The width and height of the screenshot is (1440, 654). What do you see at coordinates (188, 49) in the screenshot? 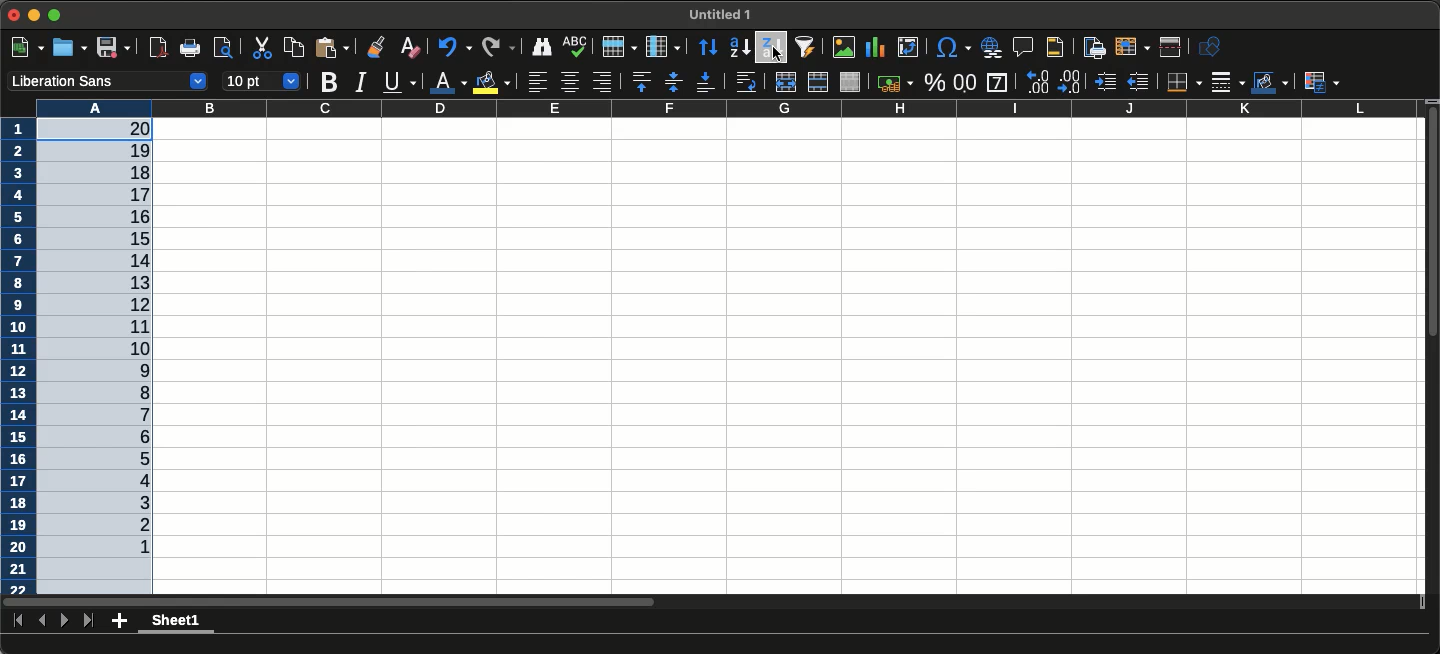
I see `Print` at bounding box center [188, 49].